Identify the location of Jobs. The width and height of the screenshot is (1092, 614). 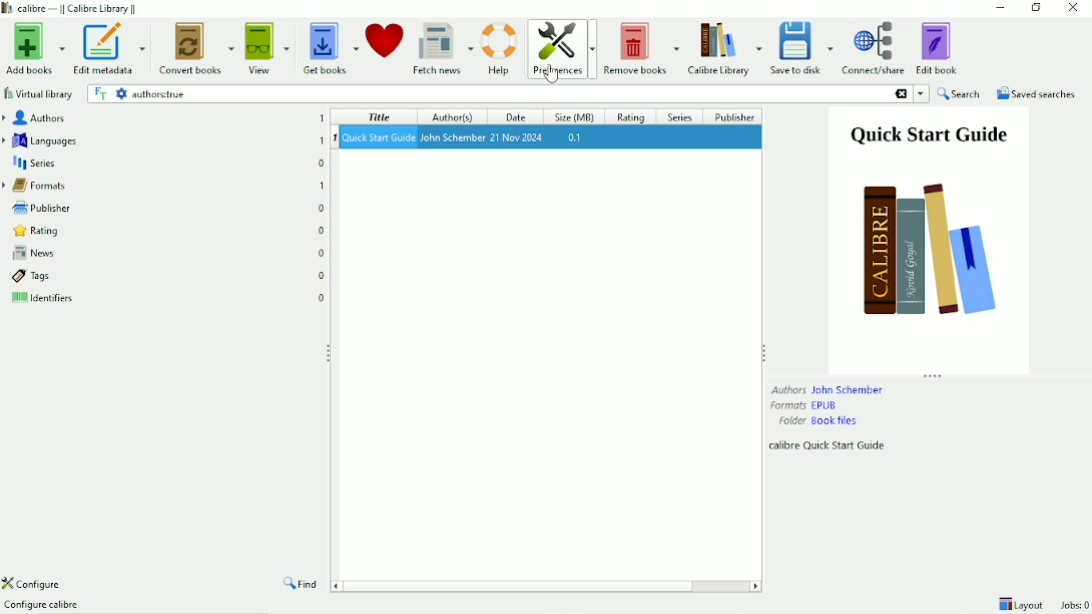
(1073, 605).